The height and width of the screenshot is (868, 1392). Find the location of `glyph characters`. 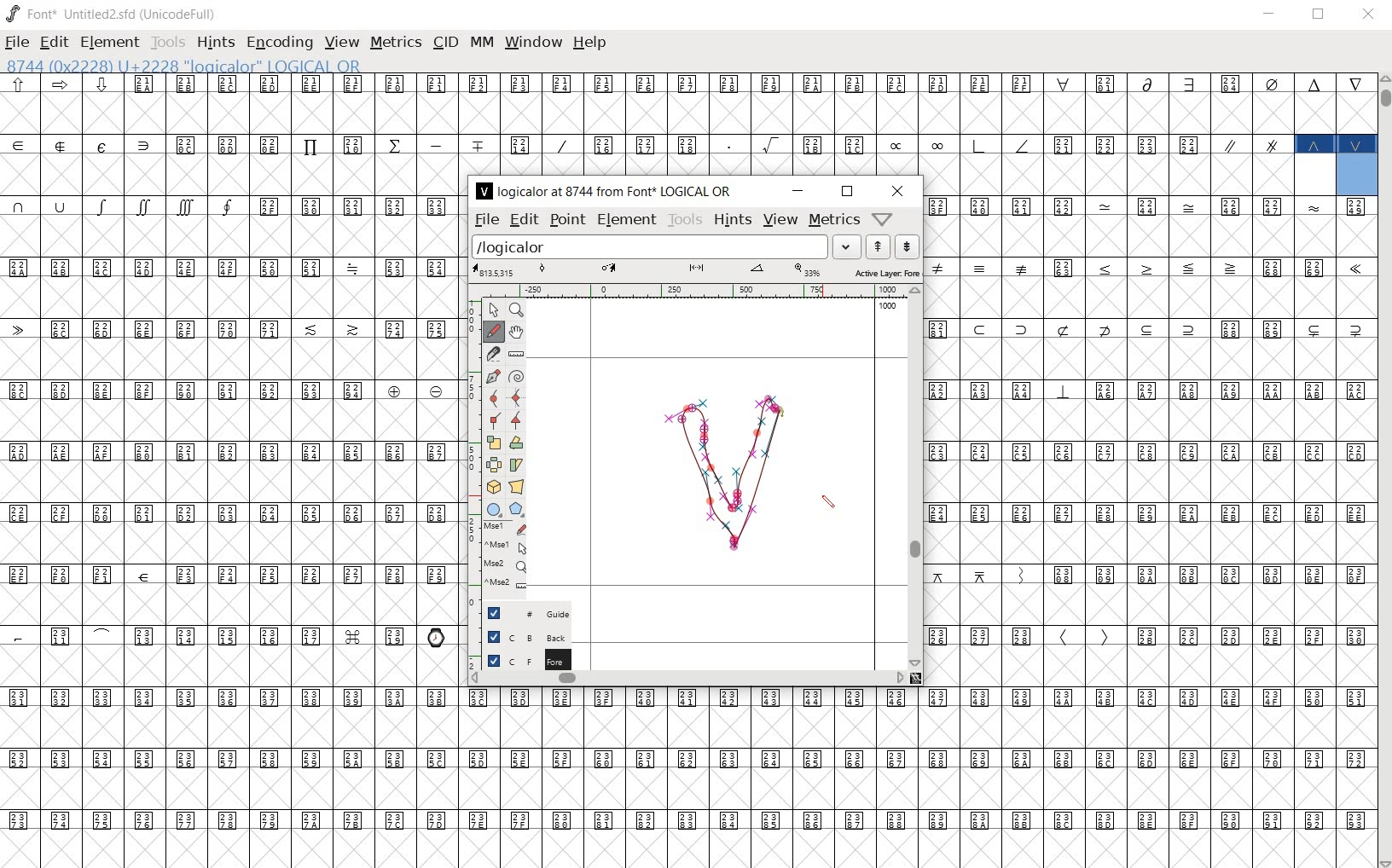

glyph characters is located at coordinates (896, 124).